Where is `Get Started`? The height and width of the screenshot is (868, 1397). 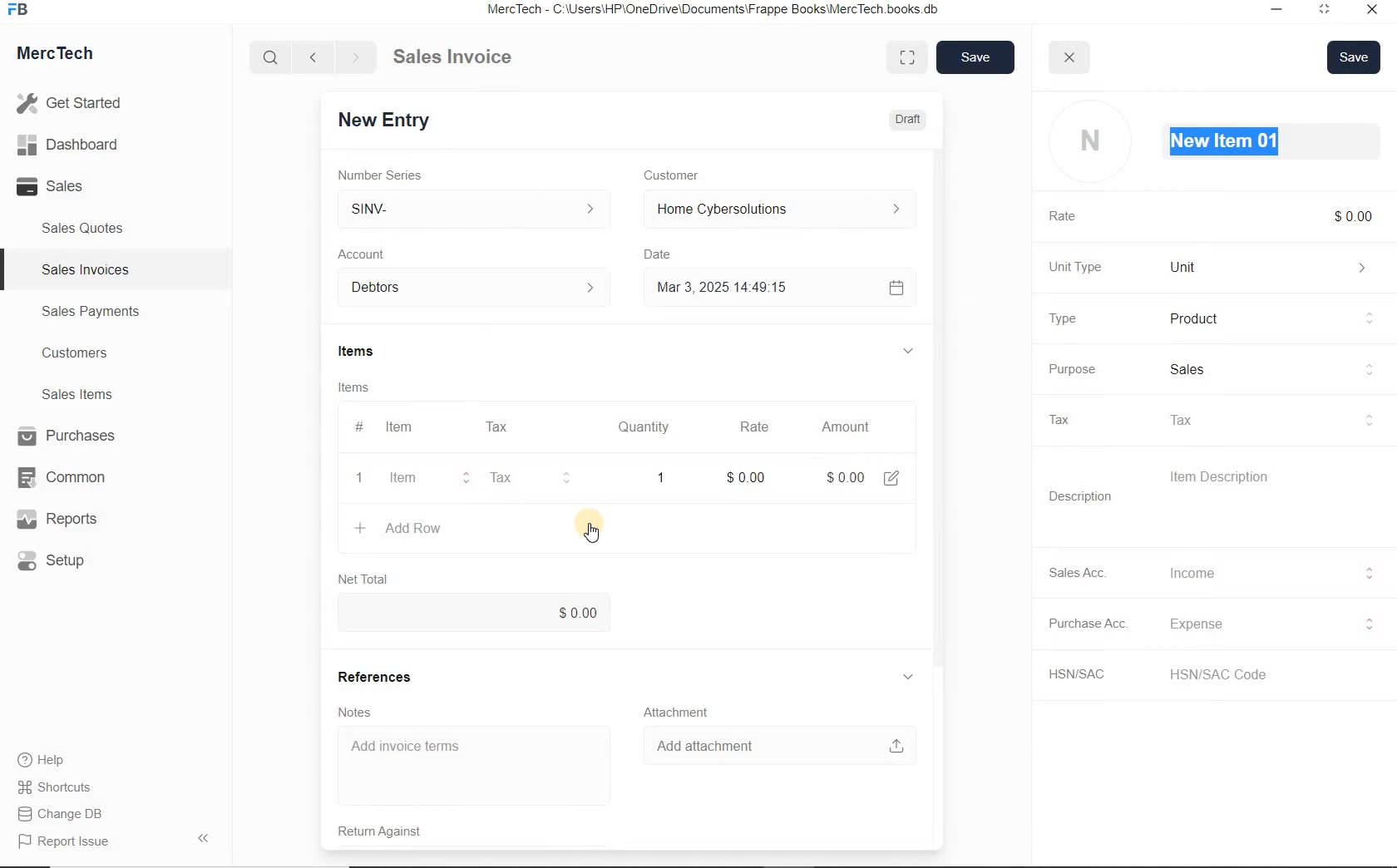 Get Started is located at coordinates (75, 103).